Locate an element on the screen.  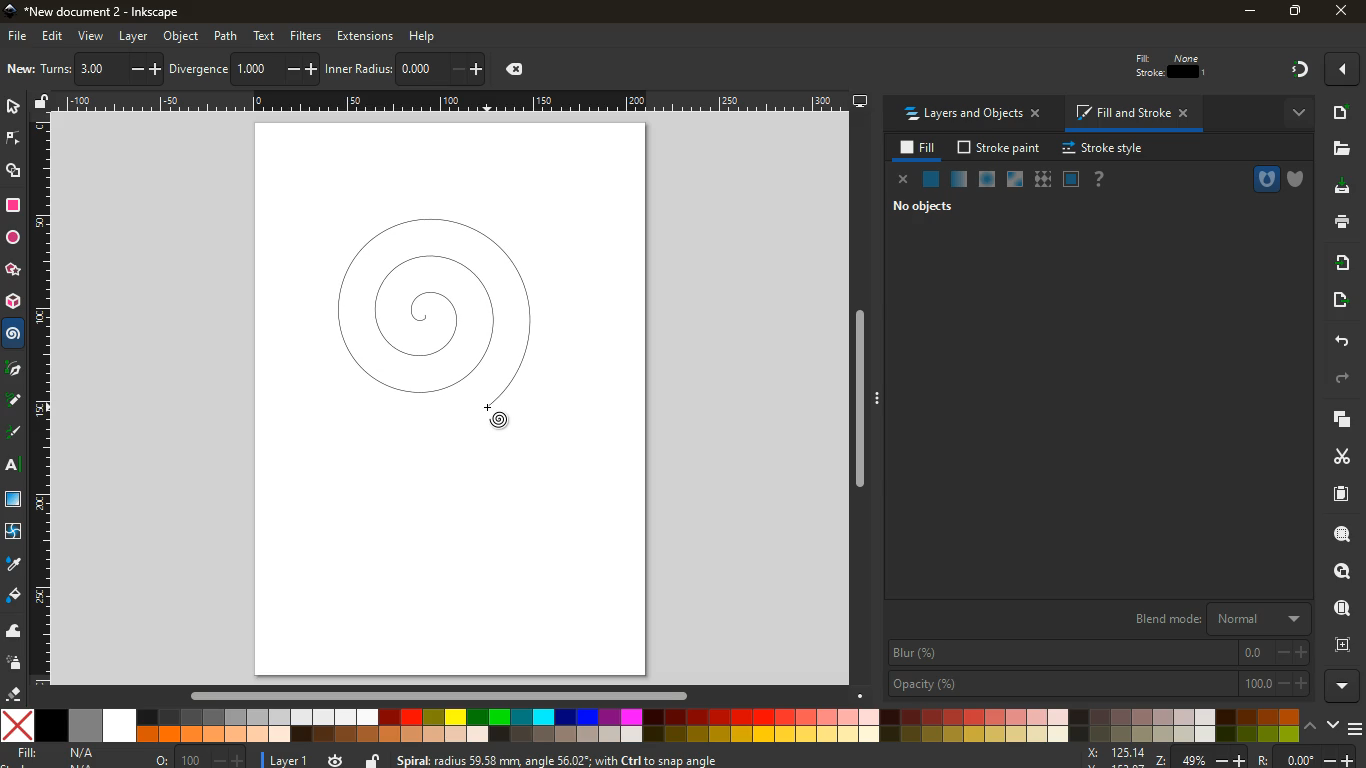
down is located at coordinates (1335, 726).